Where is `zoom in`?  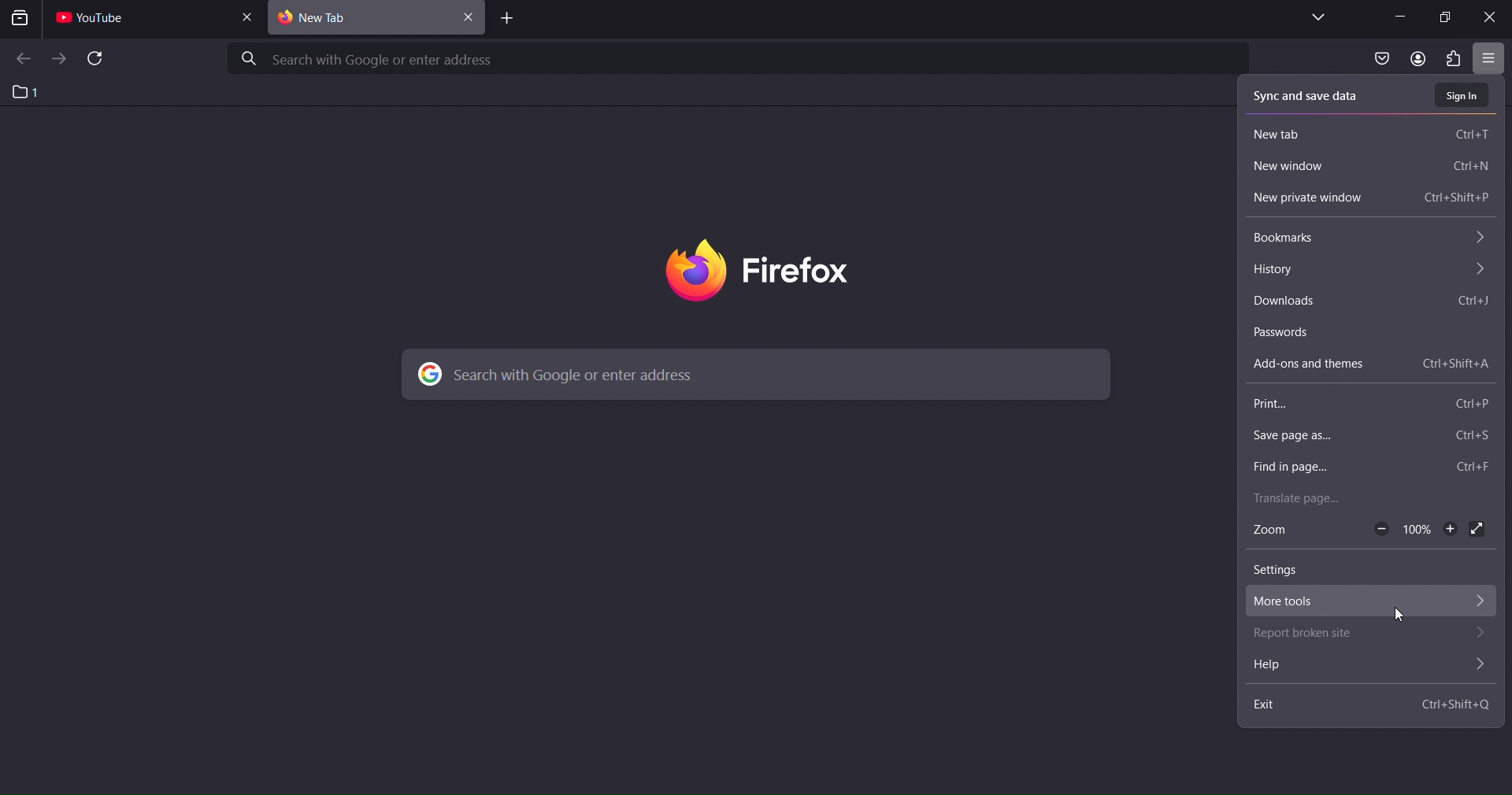
zoom in is located at coordinates (1449, 531).